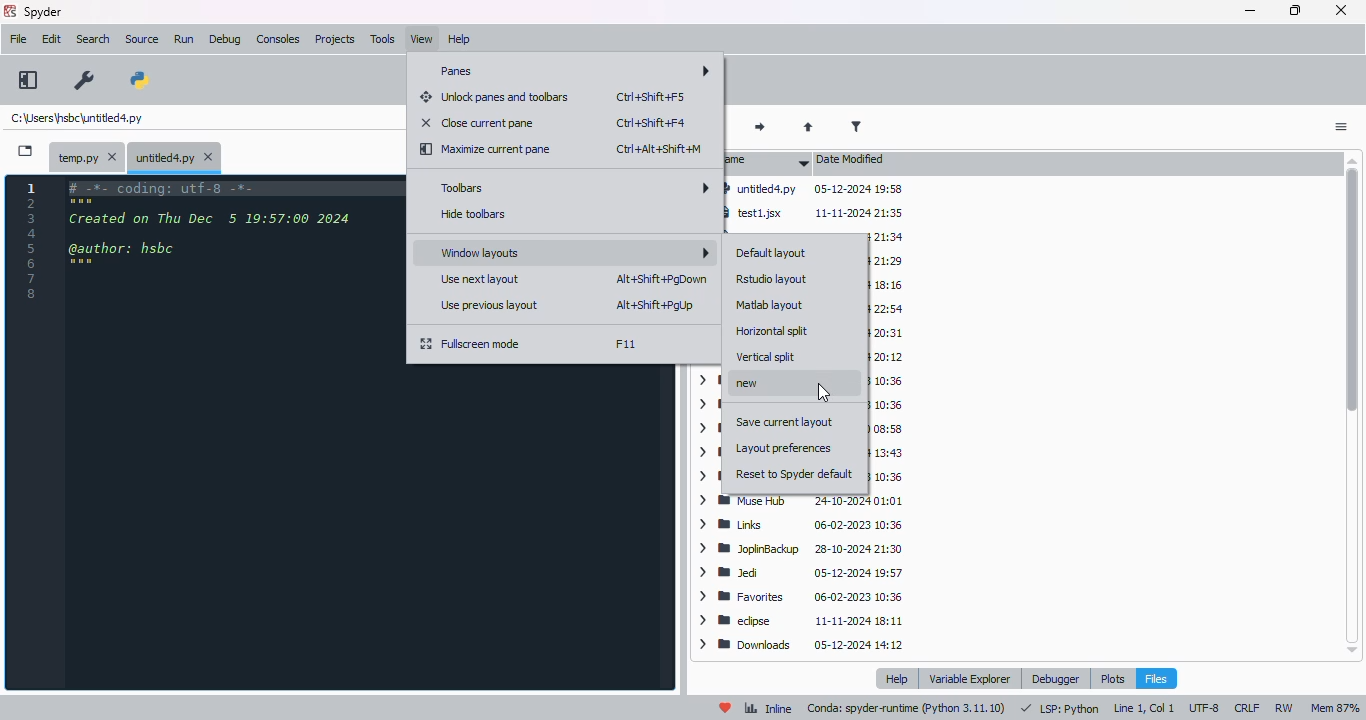 The height and width of the screenshot is (720, 1366). Describe the element at coordinates (52, 39) in the screenshot. I see `edit` at that location.